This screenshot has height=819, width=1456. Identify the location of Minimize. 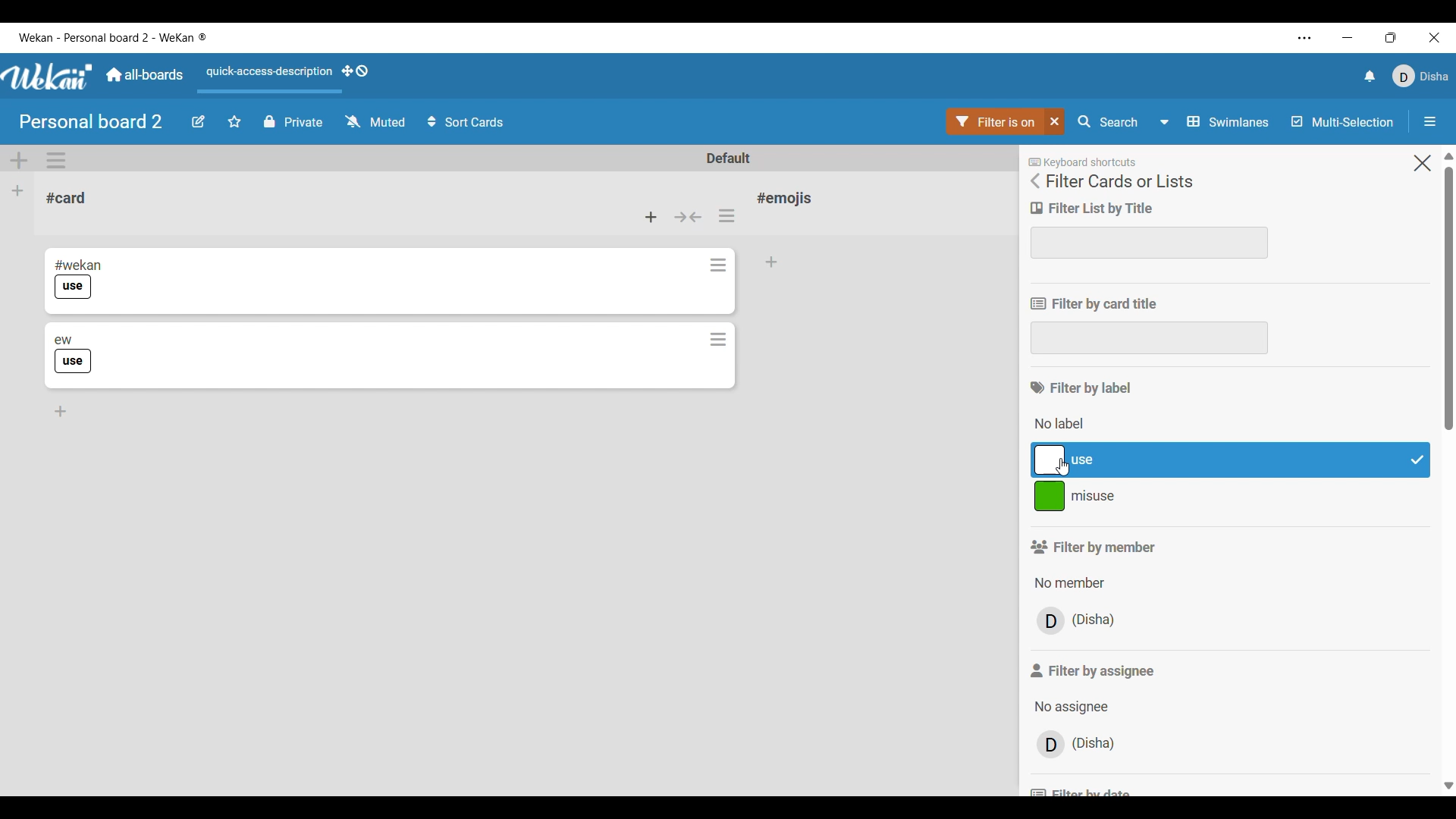
(1347, 38).